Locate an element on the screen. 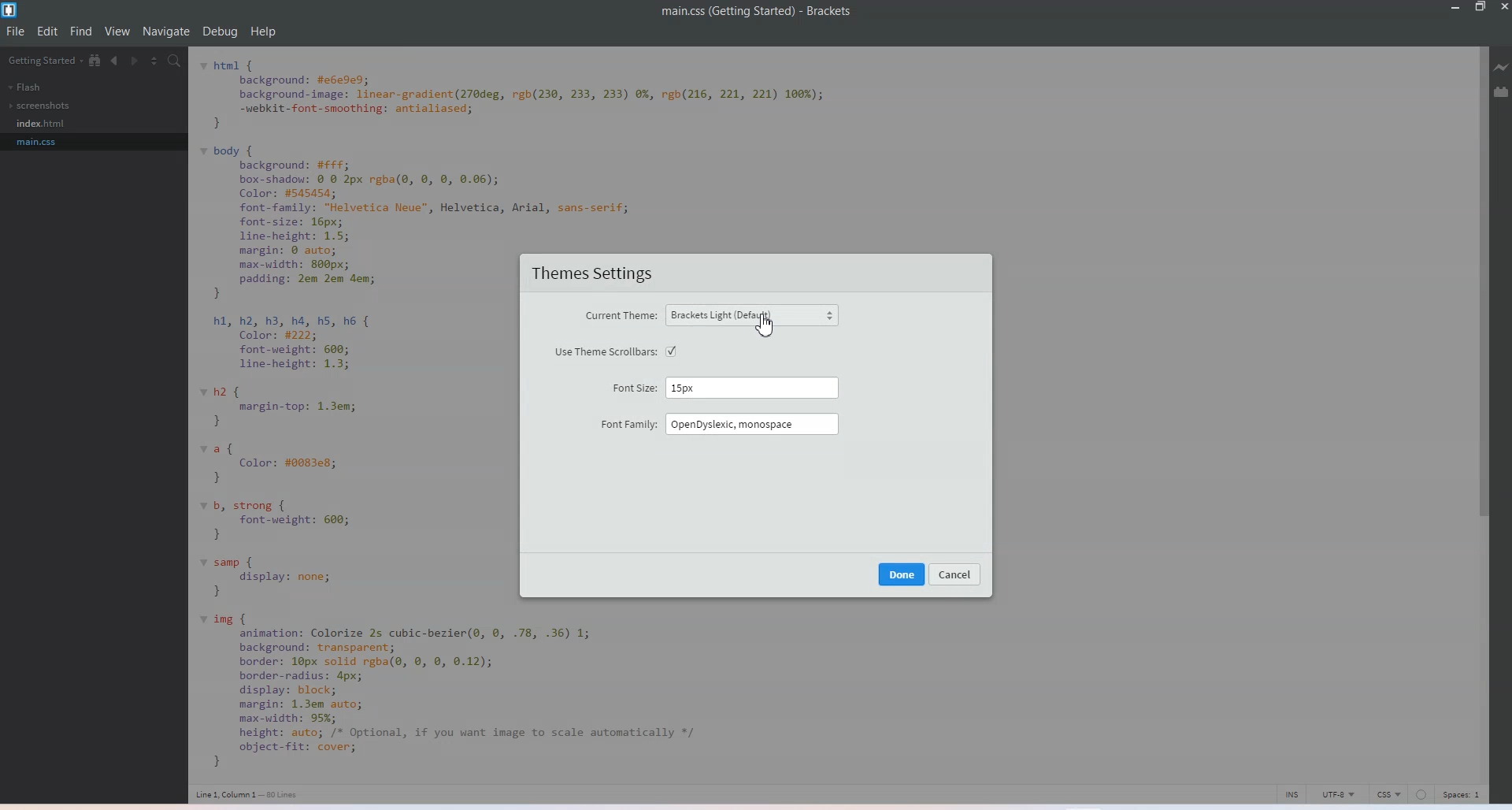 The height and width of the screenshot is (810, 1512). Extension Manager is located at coordinates (1502, 91).